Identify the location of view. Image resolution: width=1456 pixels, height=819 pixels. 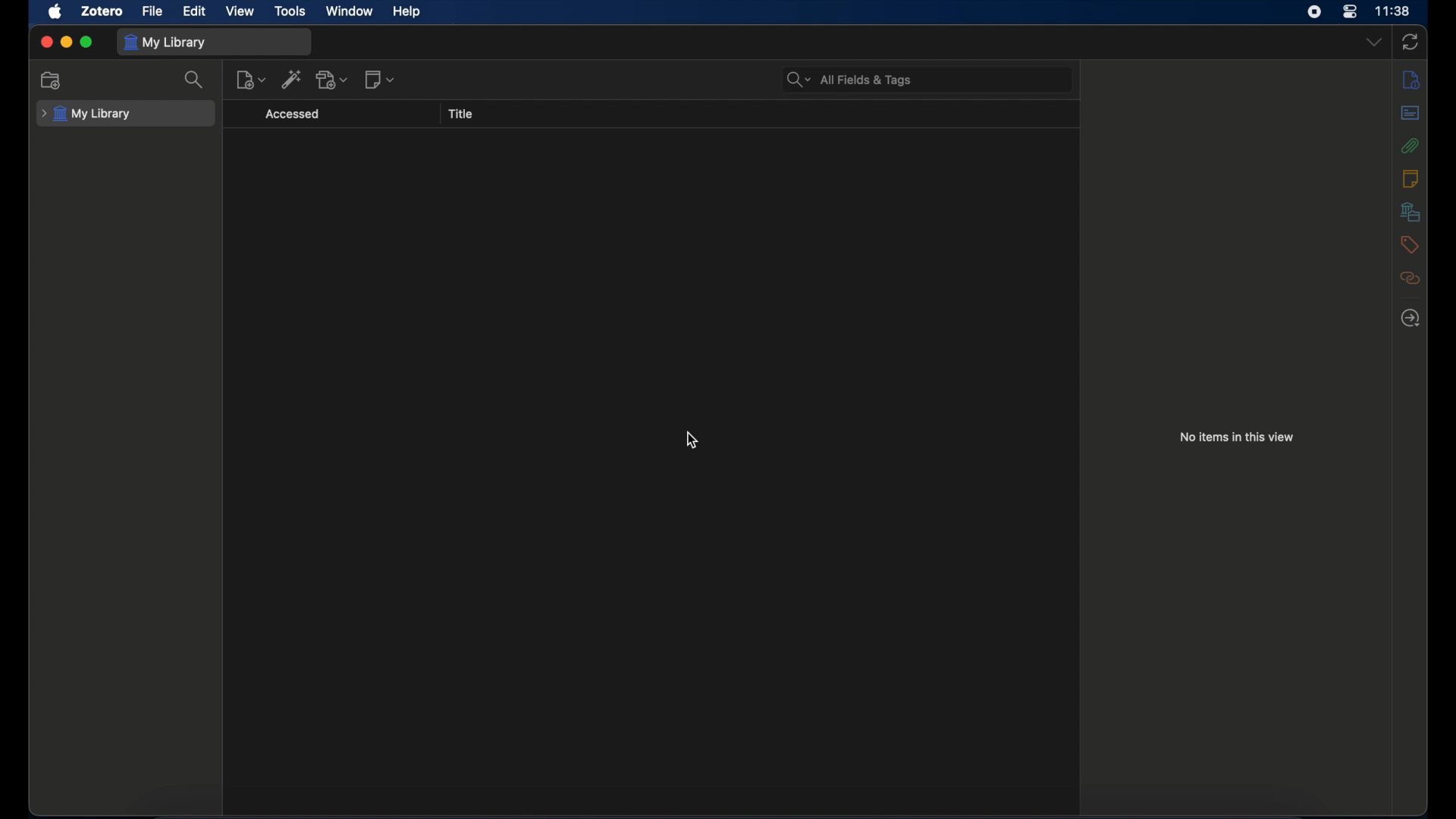
(240, 11).